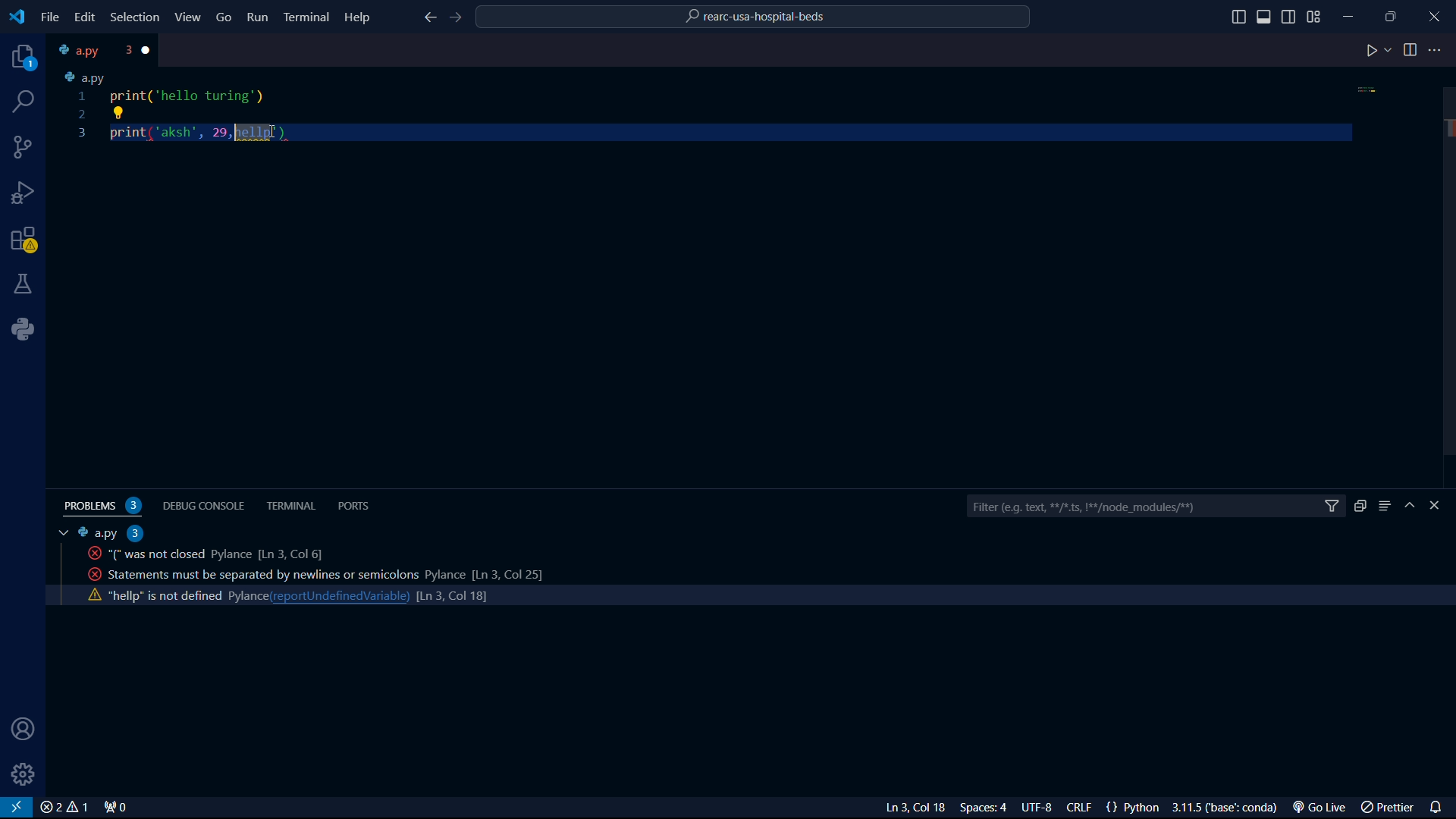 The height and width of the screenshot is (819, 1456). What do you see at coordinates (1238, 17) in the screenshot?
I see `toggle sidebar` at bounding box center [1238, 17].